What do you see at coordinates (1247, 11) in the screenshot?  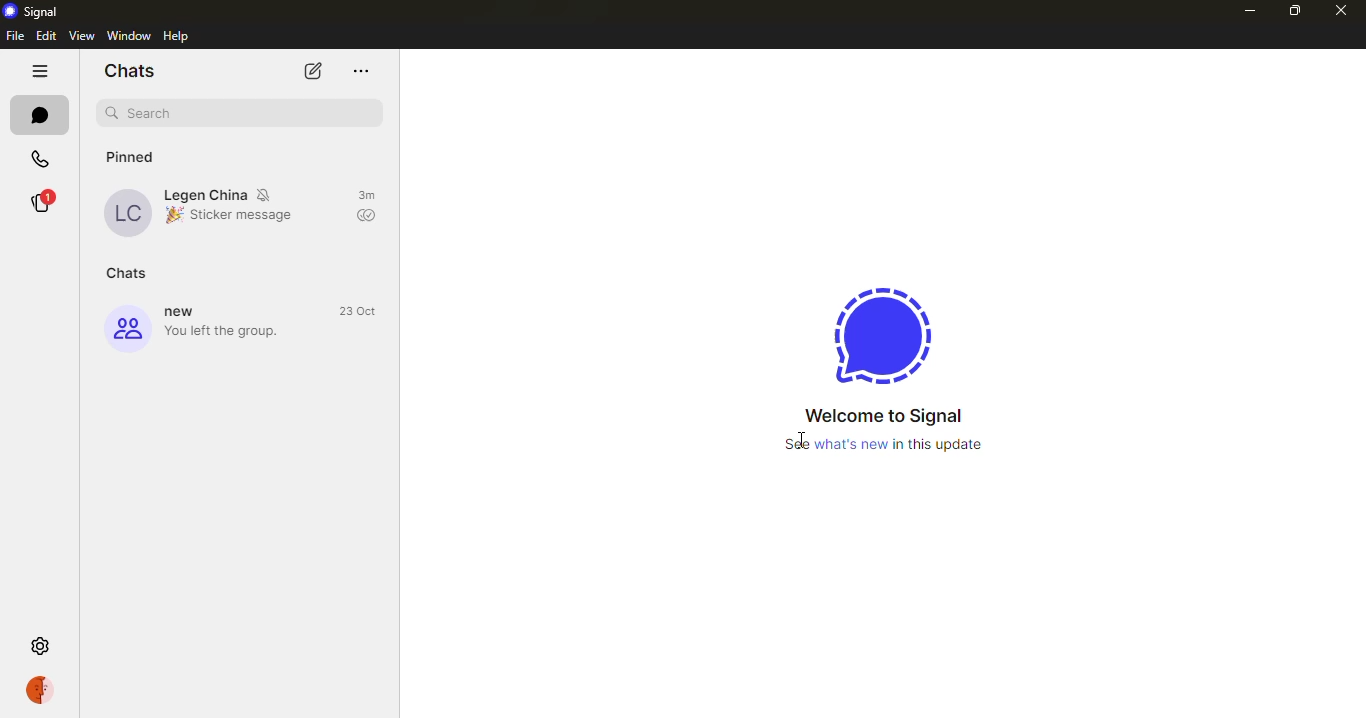 I see `minimize` at bounding box center [1247, 11].